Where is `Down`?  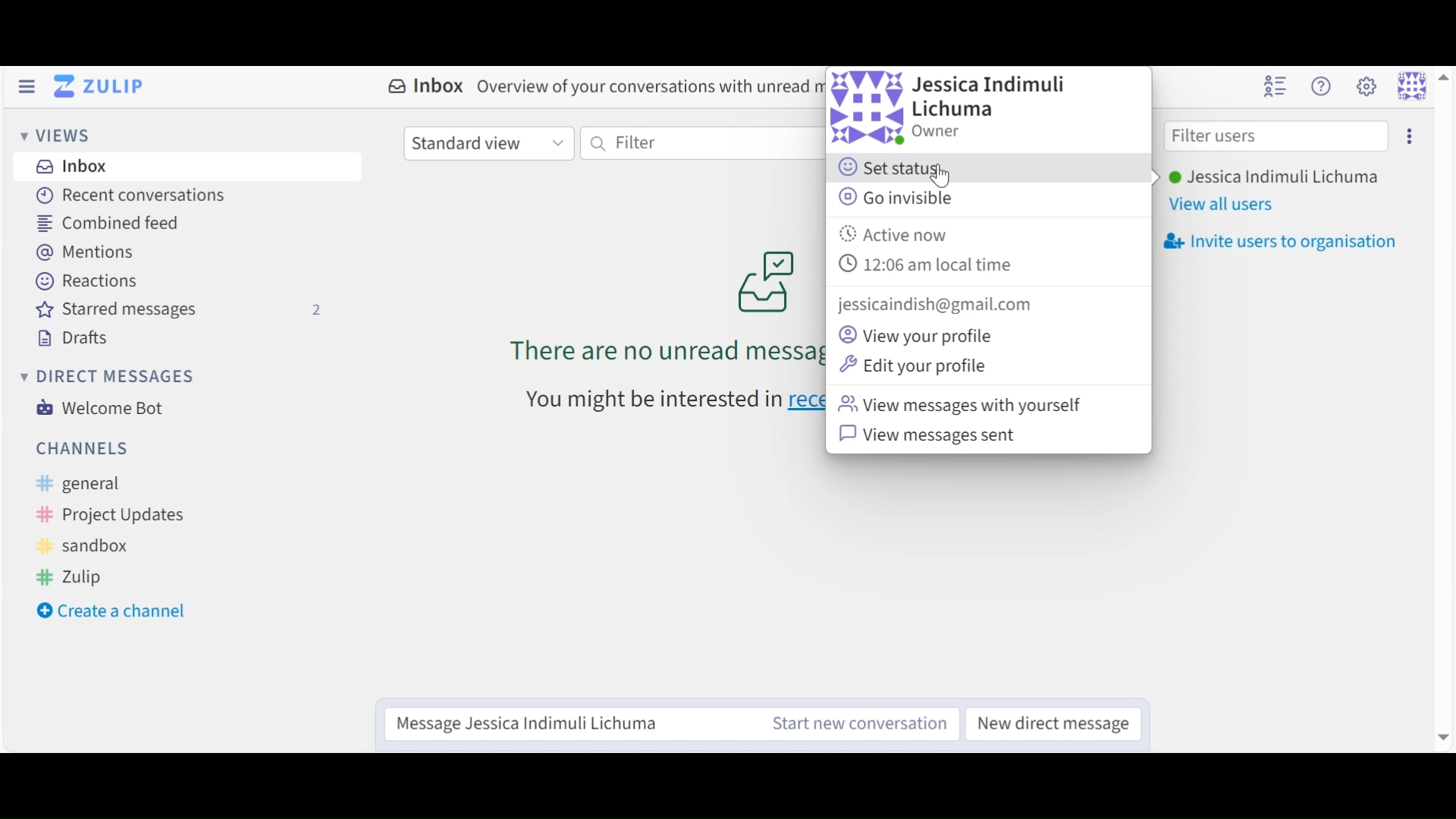
Down is located at coordinates (1441, 731).